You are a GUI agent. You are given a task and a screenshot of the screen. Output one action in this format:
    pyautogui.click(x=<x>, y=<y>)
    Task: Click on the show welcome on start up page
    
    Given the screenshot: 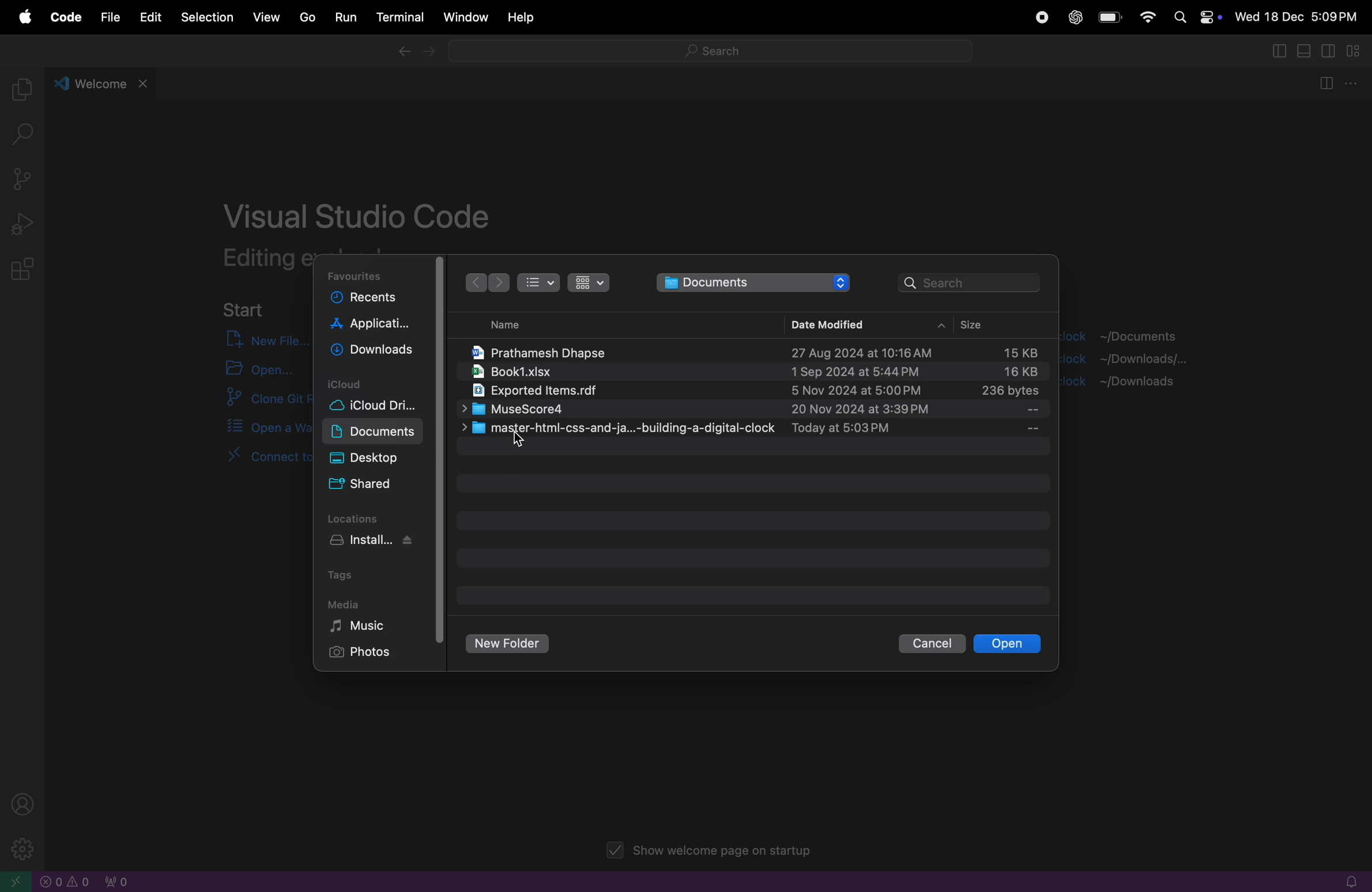 What is the action you would take?
    pyautogui.click(x=712, y=852)
    